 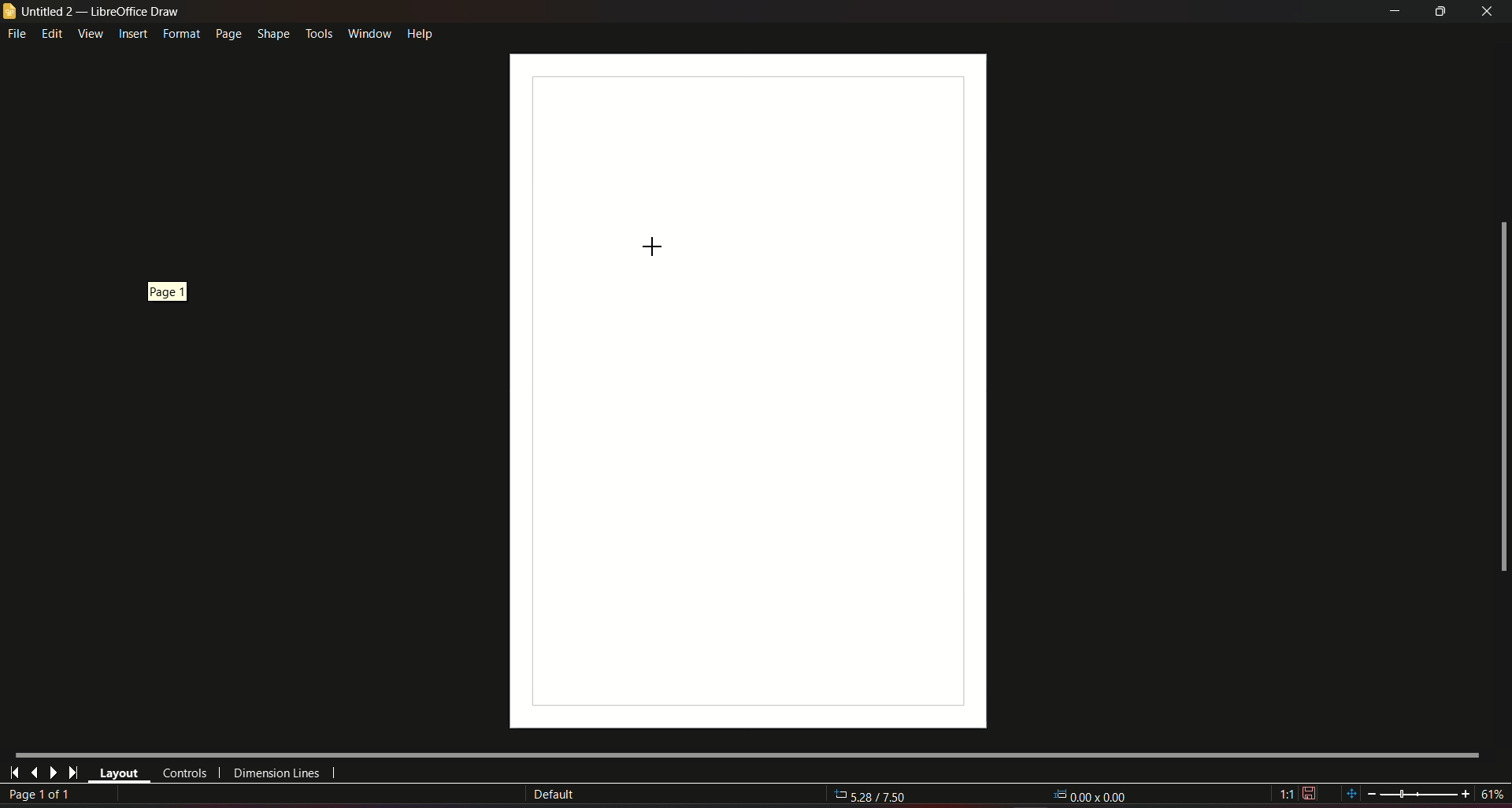 I want to click on layout, so click(x=119, y=774).